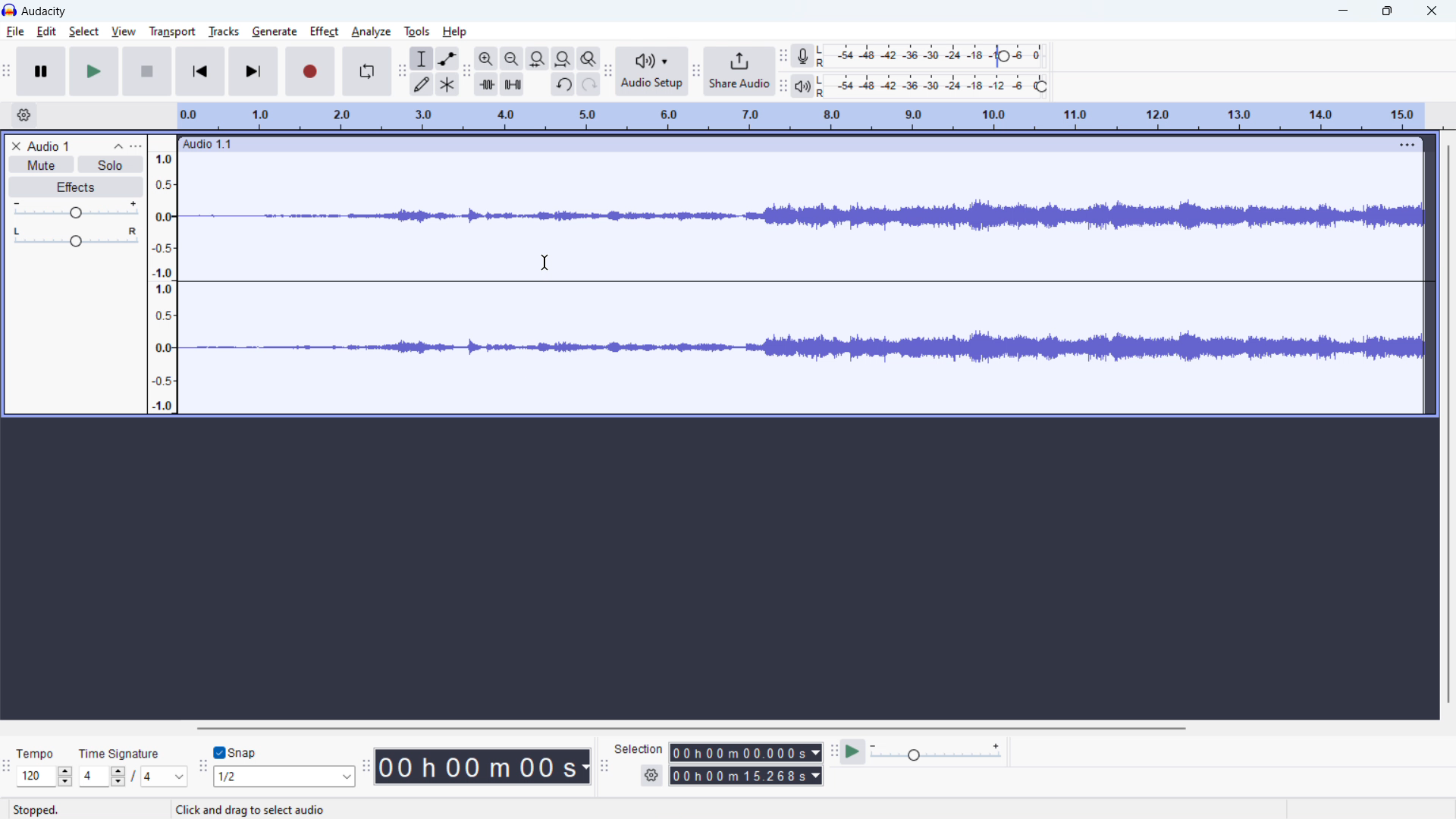  Describe the element at coordinates (486, 84) in the screenshot. I see `trim audio outside selection` at that location.